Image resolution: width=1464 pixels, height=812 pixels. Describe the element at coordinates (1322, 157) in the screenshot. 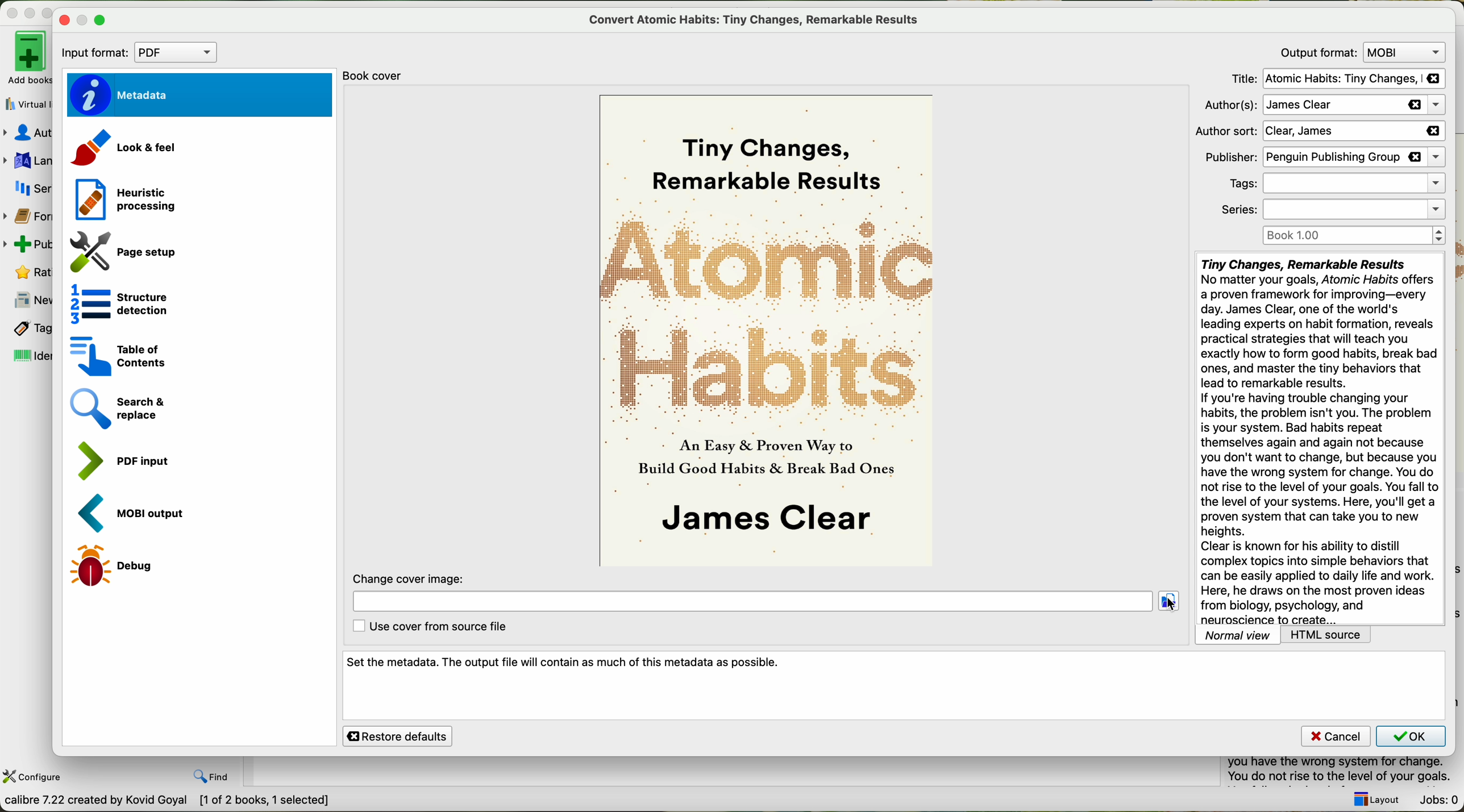

I see `publisher` at that location.